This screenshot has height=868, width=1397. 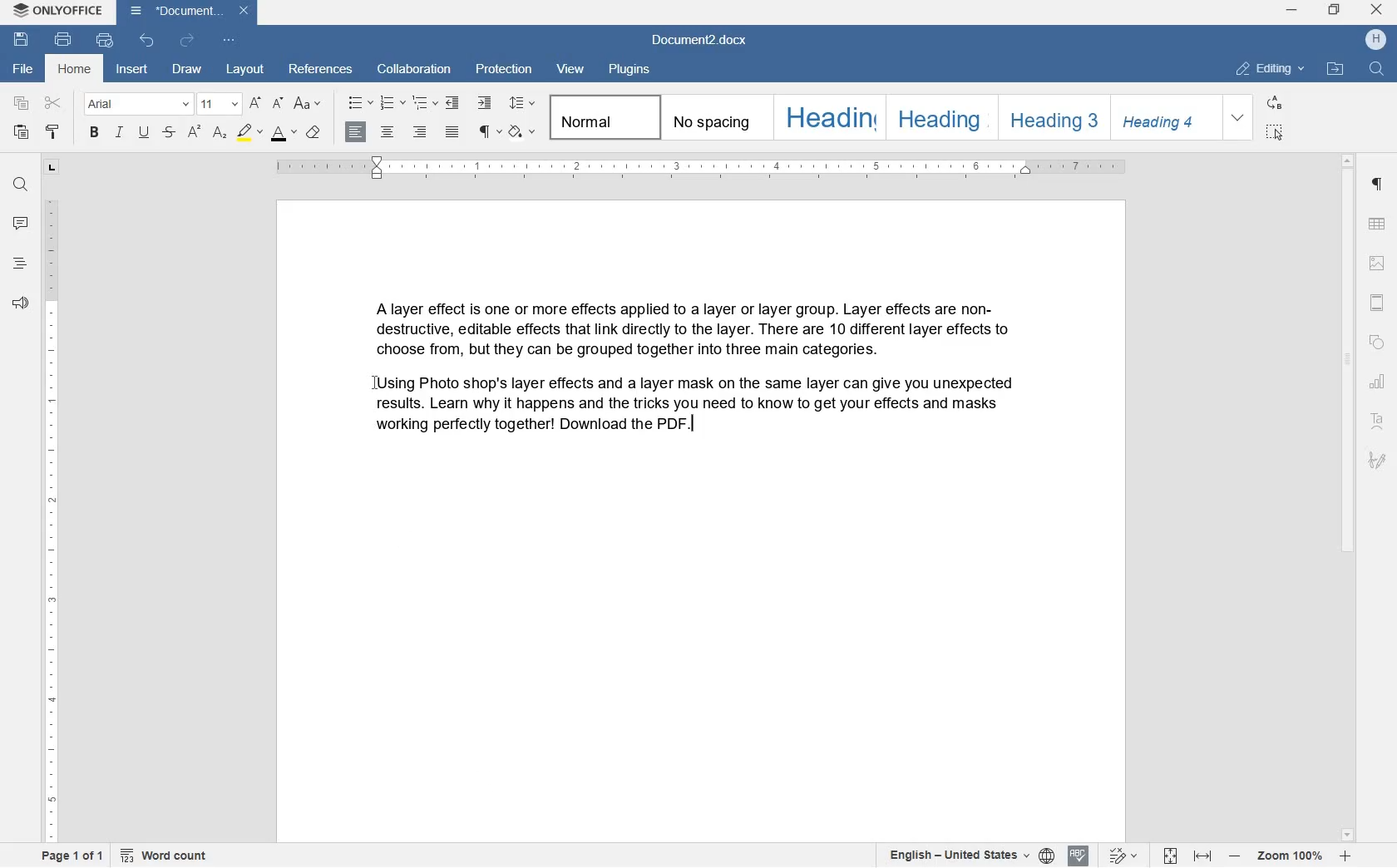 I want to click on INSERT, so click(x=133, y=72).